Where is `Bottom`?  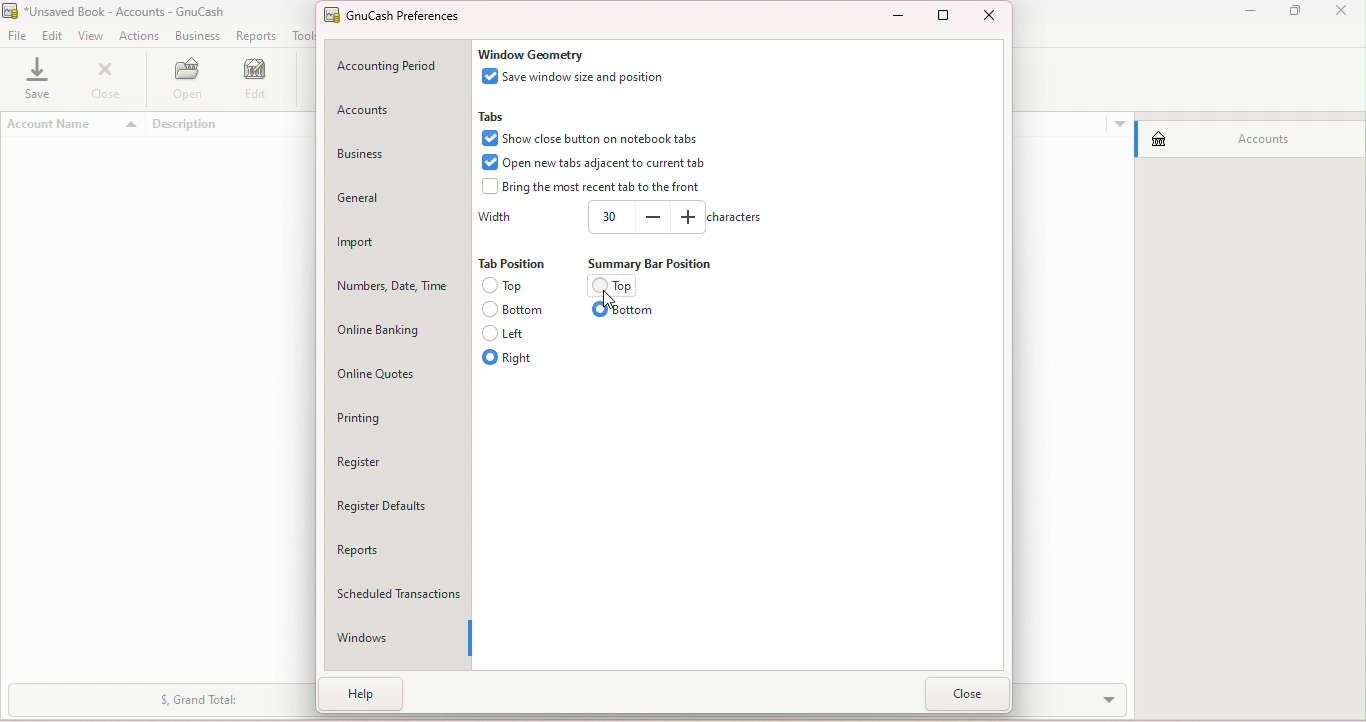
Bottom is located at coordinates (518, 309).